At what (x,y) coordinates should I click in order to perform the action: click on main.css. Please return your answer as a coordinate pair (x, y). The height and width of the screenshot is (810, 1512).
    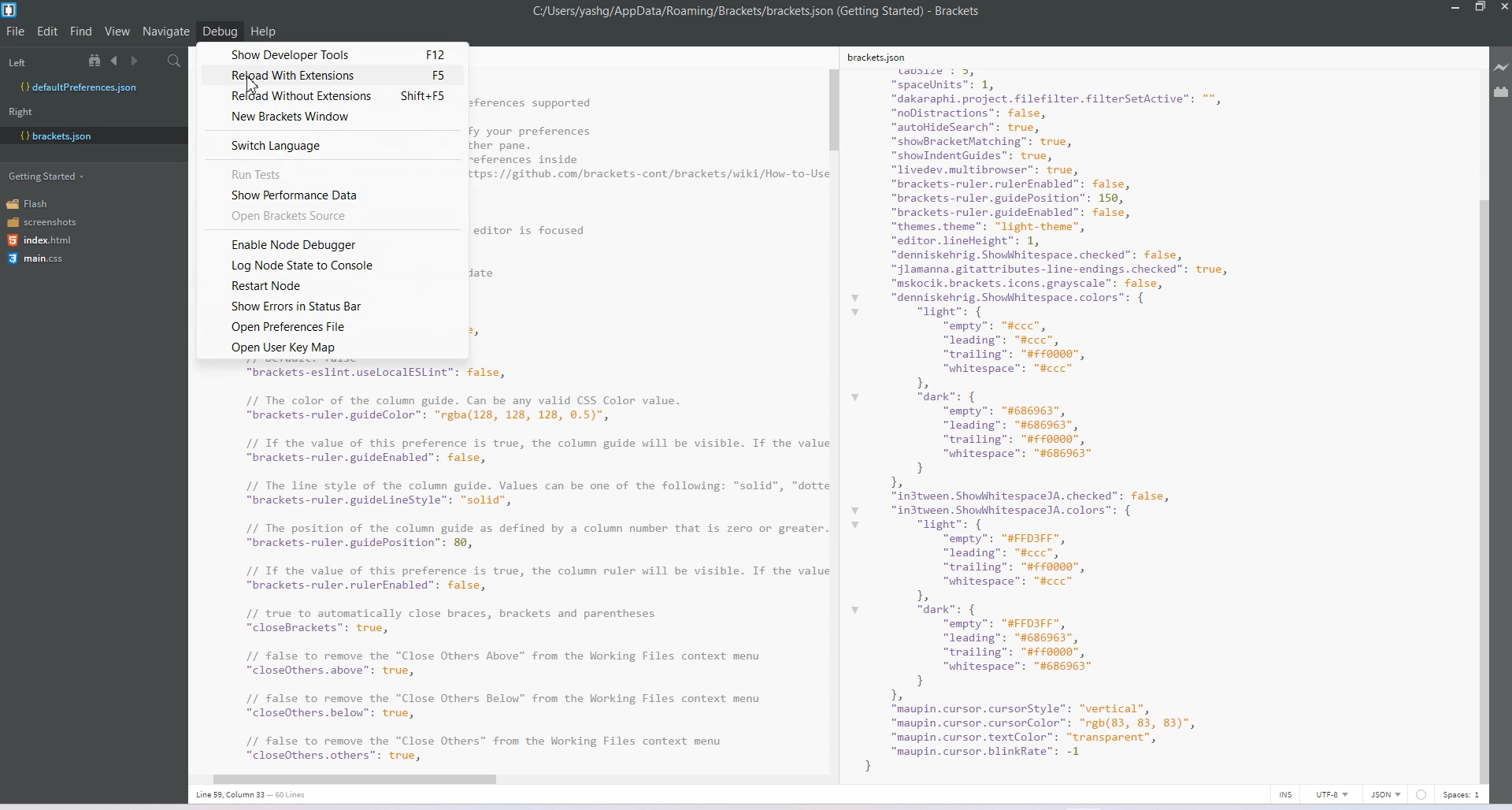
    Looking at the image, I should click on (35, 258).